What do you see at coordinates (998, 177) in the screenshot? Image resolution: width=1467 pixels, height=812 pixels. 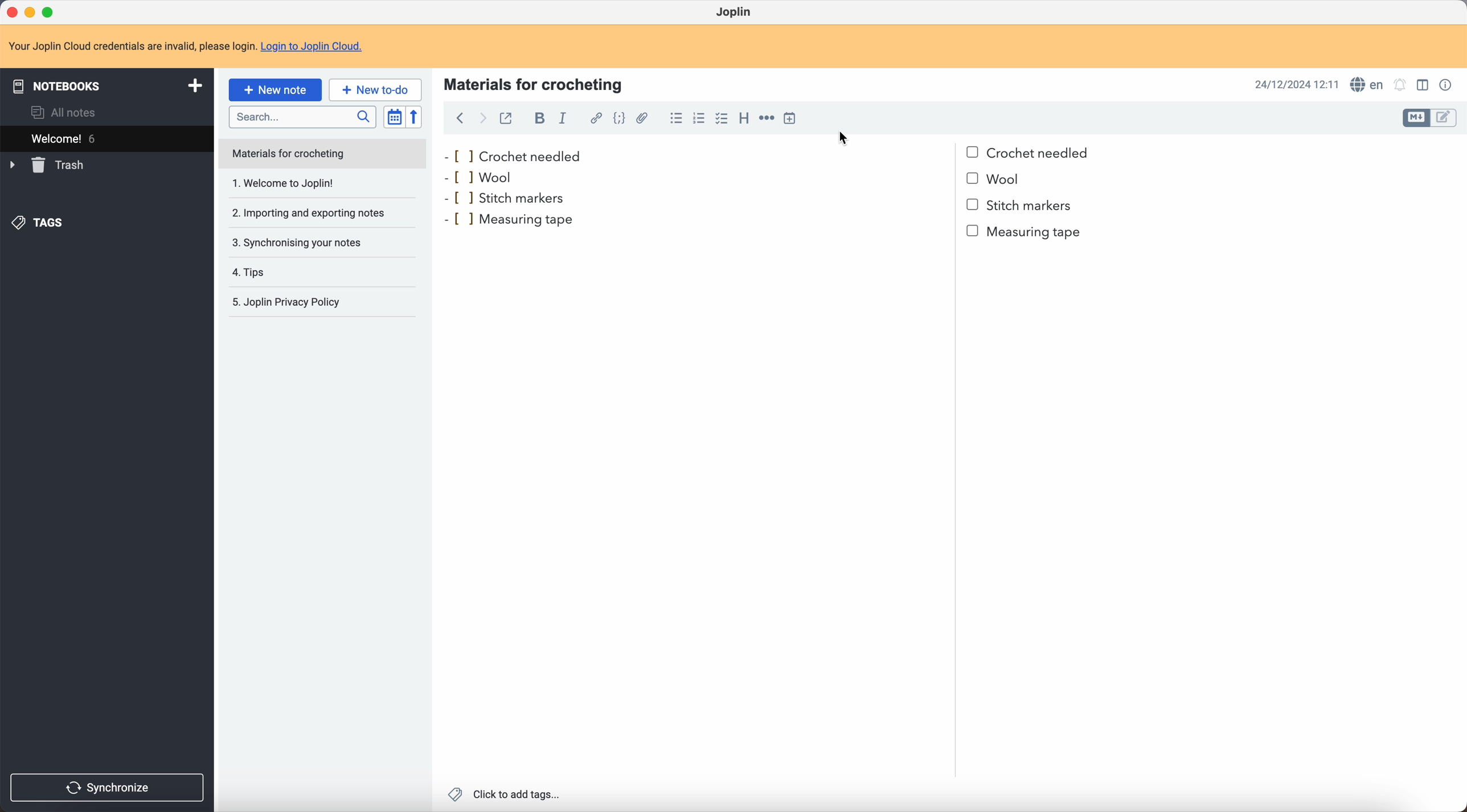 I see `bullet point` at bounding box center [998, 177].